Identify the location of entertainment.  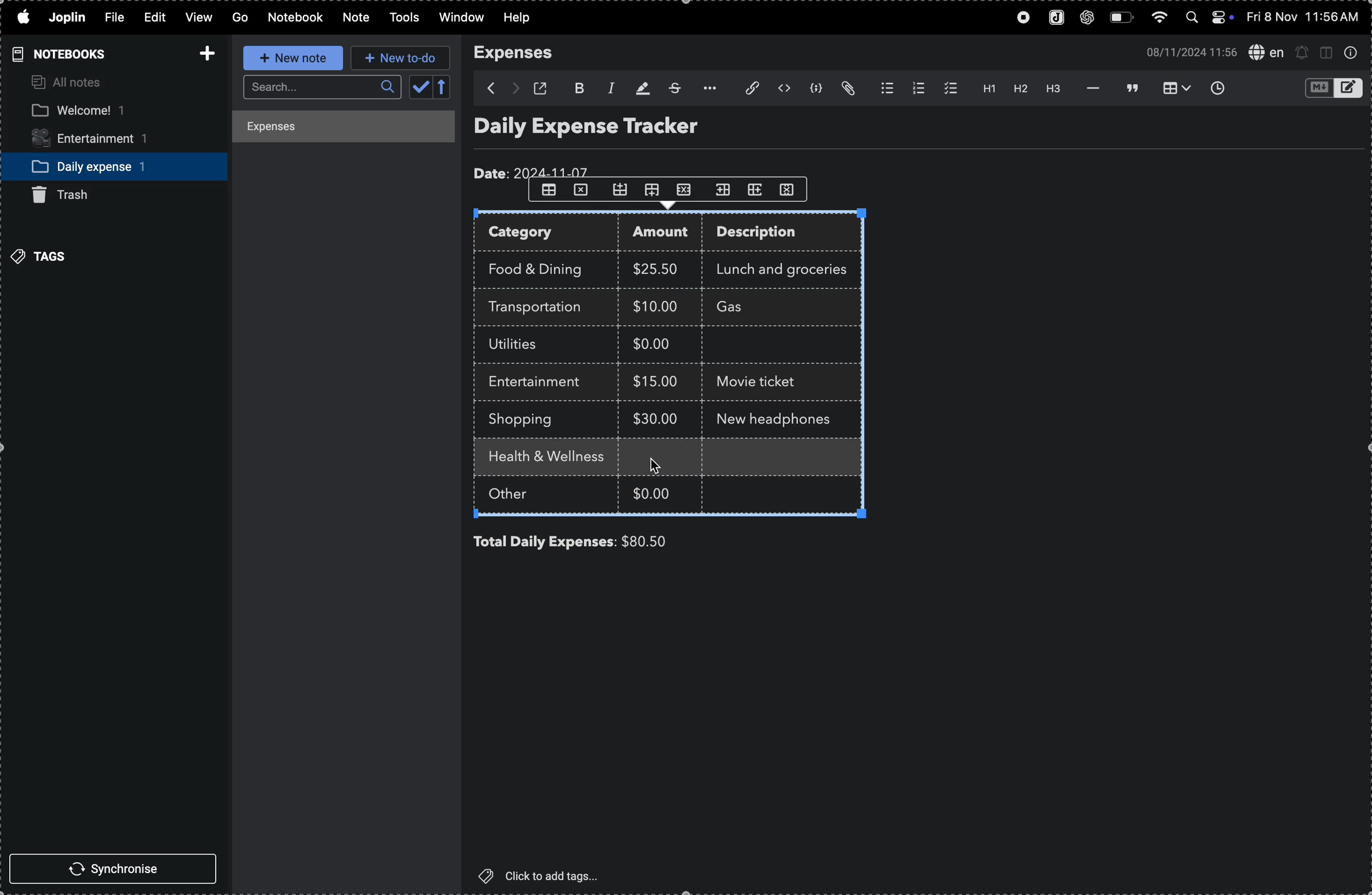
(101, 140).